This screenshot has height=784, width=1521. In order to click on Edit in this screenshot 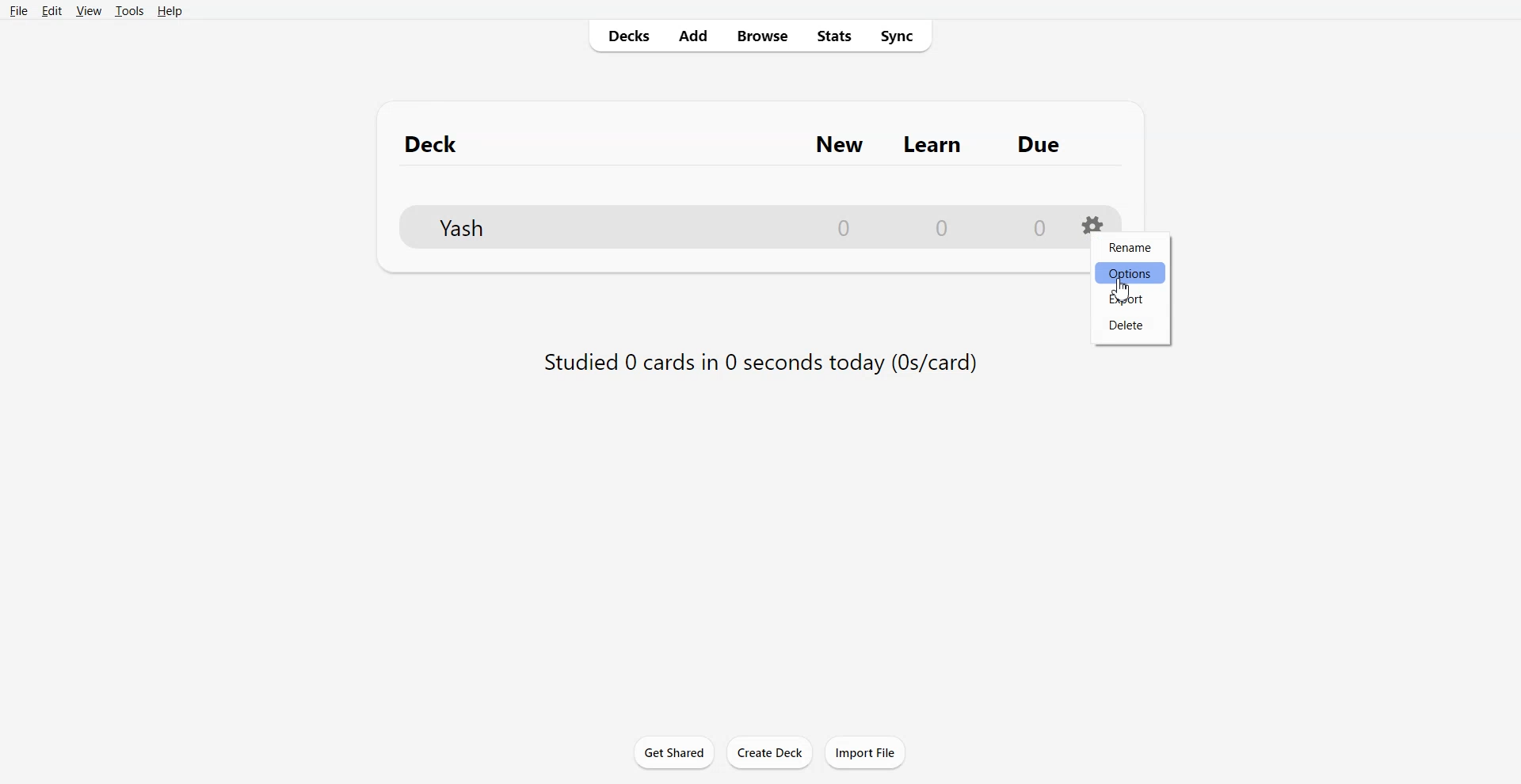, I will do `click(50, 11)`.